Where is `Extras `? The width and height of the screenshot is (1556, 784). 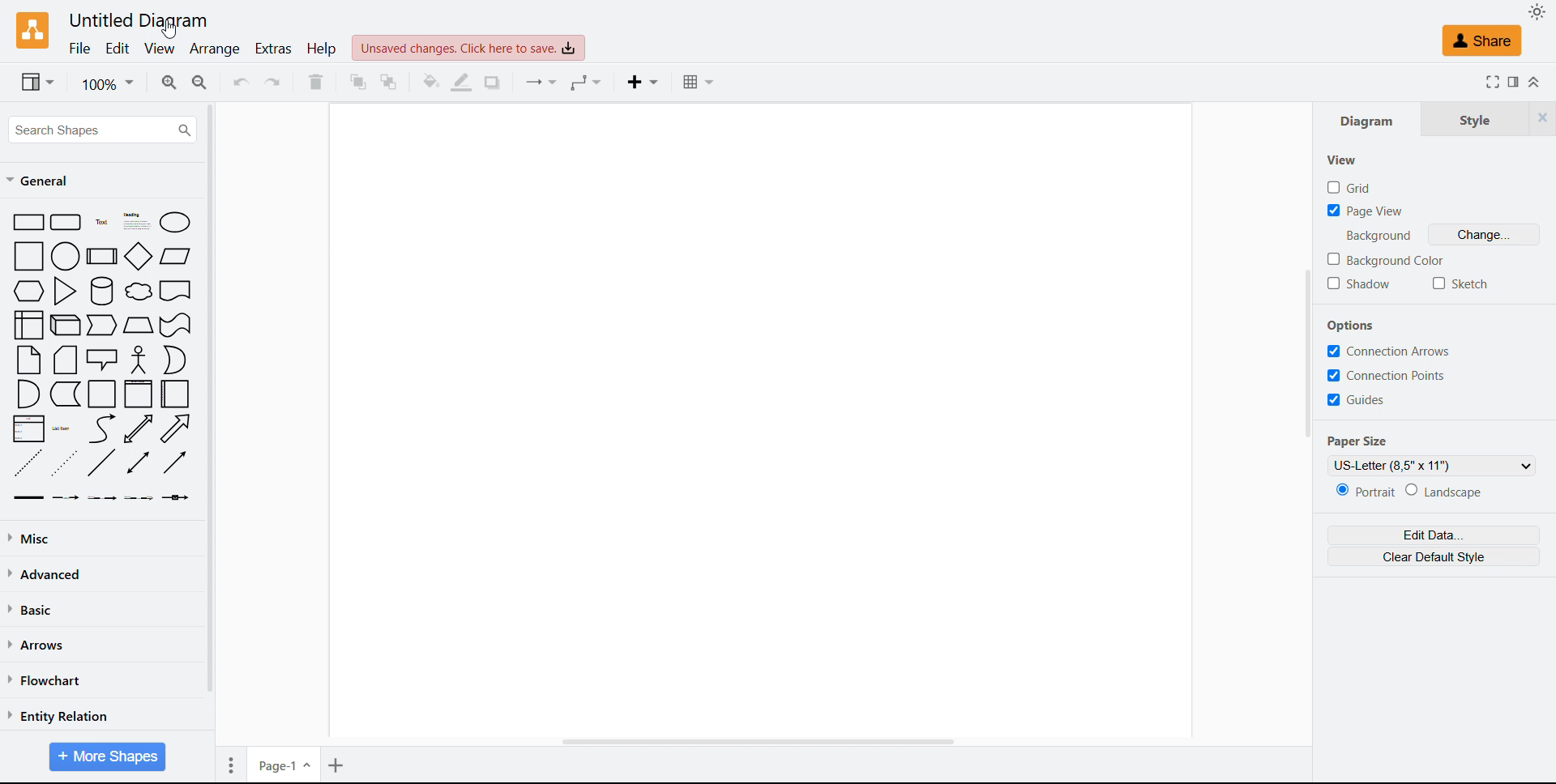 Extras  is located at coordinates (272, 49).